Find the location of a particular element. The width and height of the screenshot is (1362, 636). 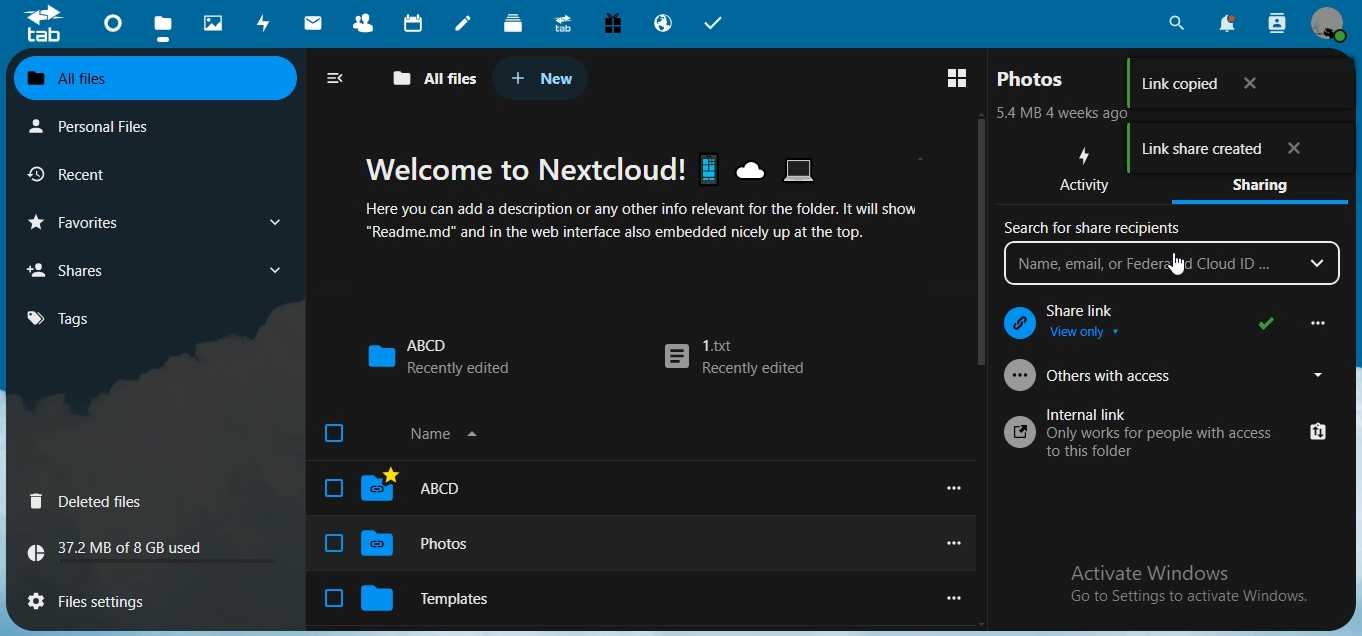

upgrade is located at coordinates (567, 26).